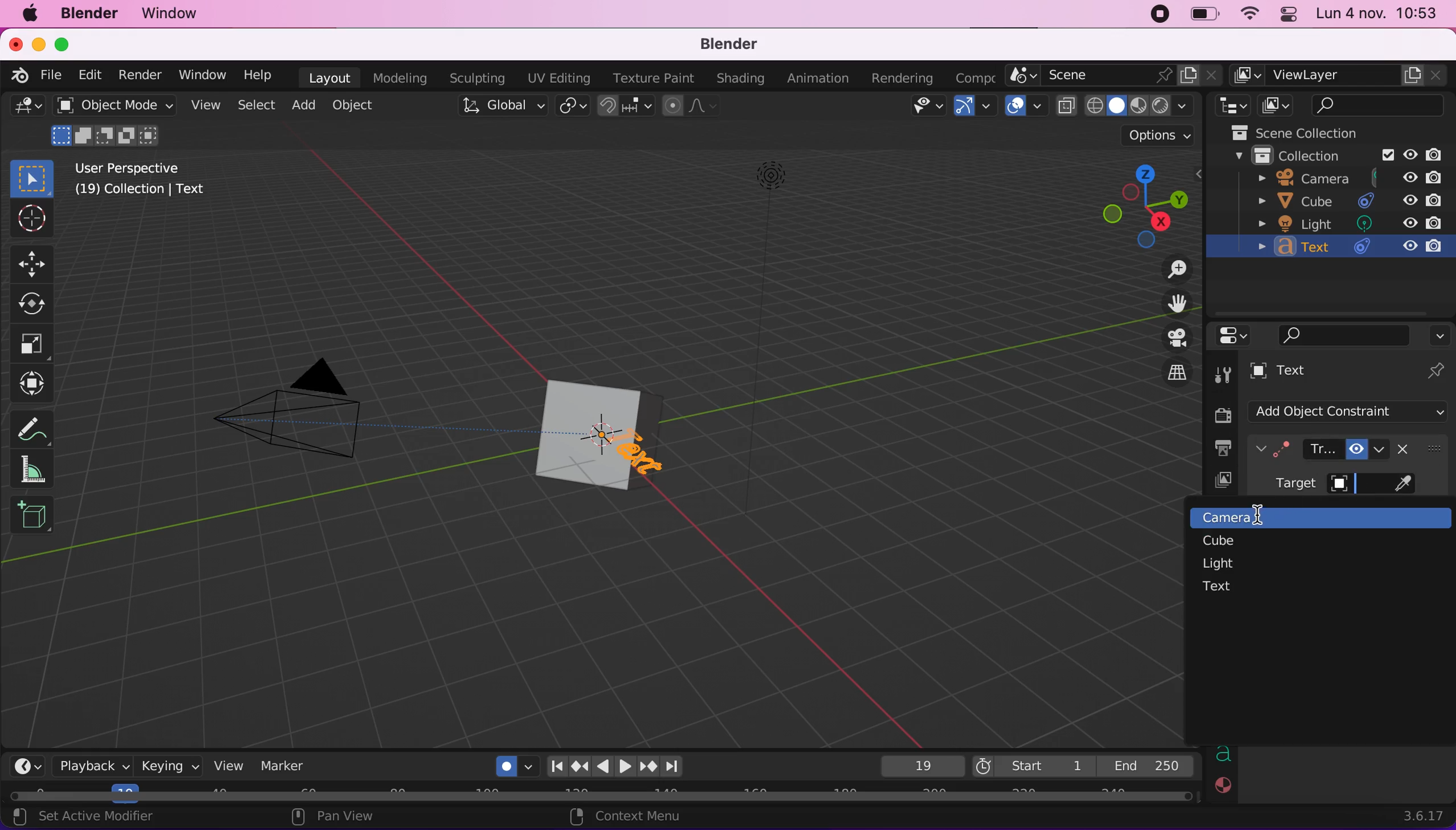 The height and width of the screenshot is (830, 1456). I want to click on start 1, so click(1029, 766).